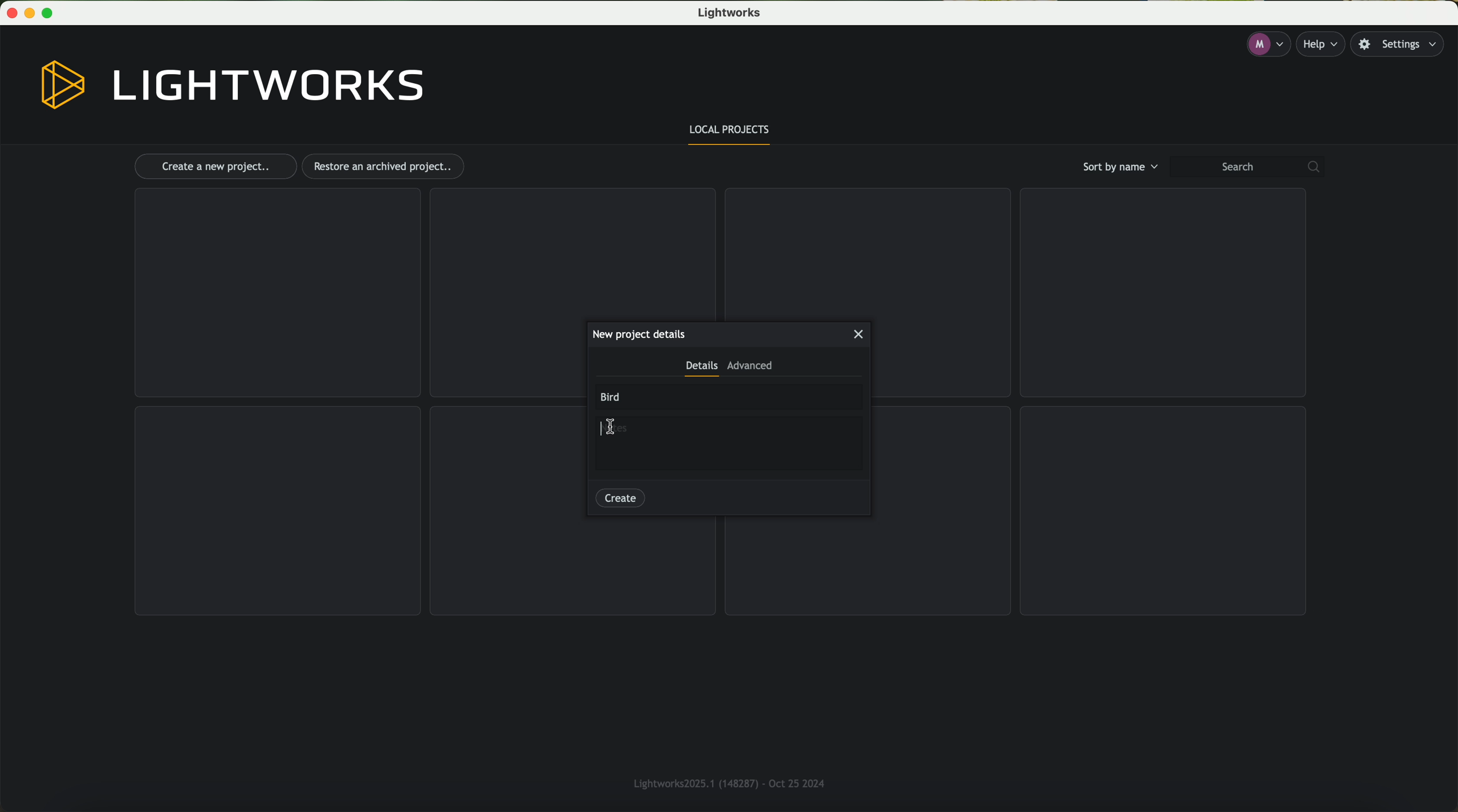 The width and height of the screenshot is (1458, 812). I want to click on settings, so click(1403, 45).